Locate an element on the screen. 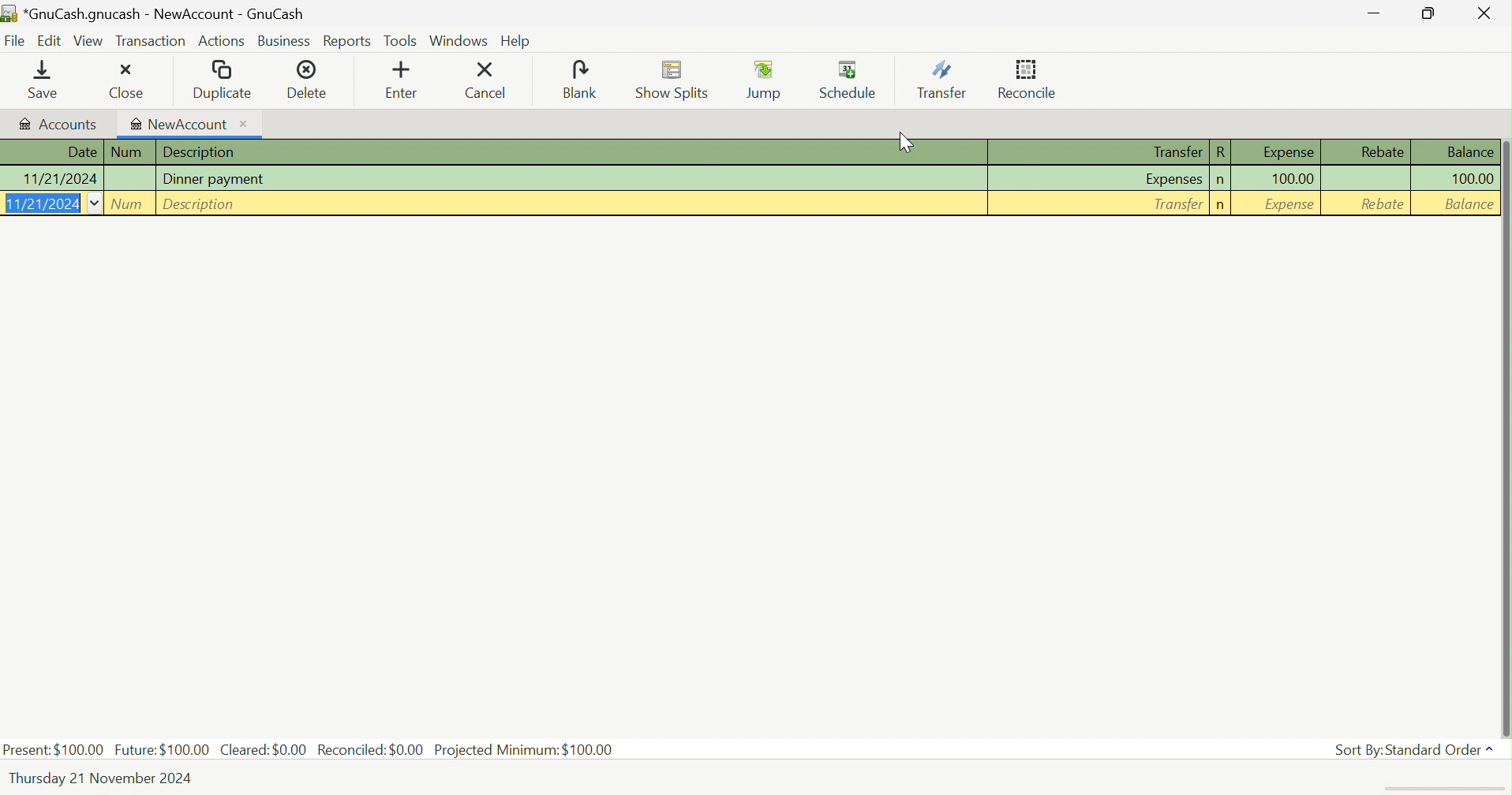  Reconcile is located at coordinates (1027, 79).